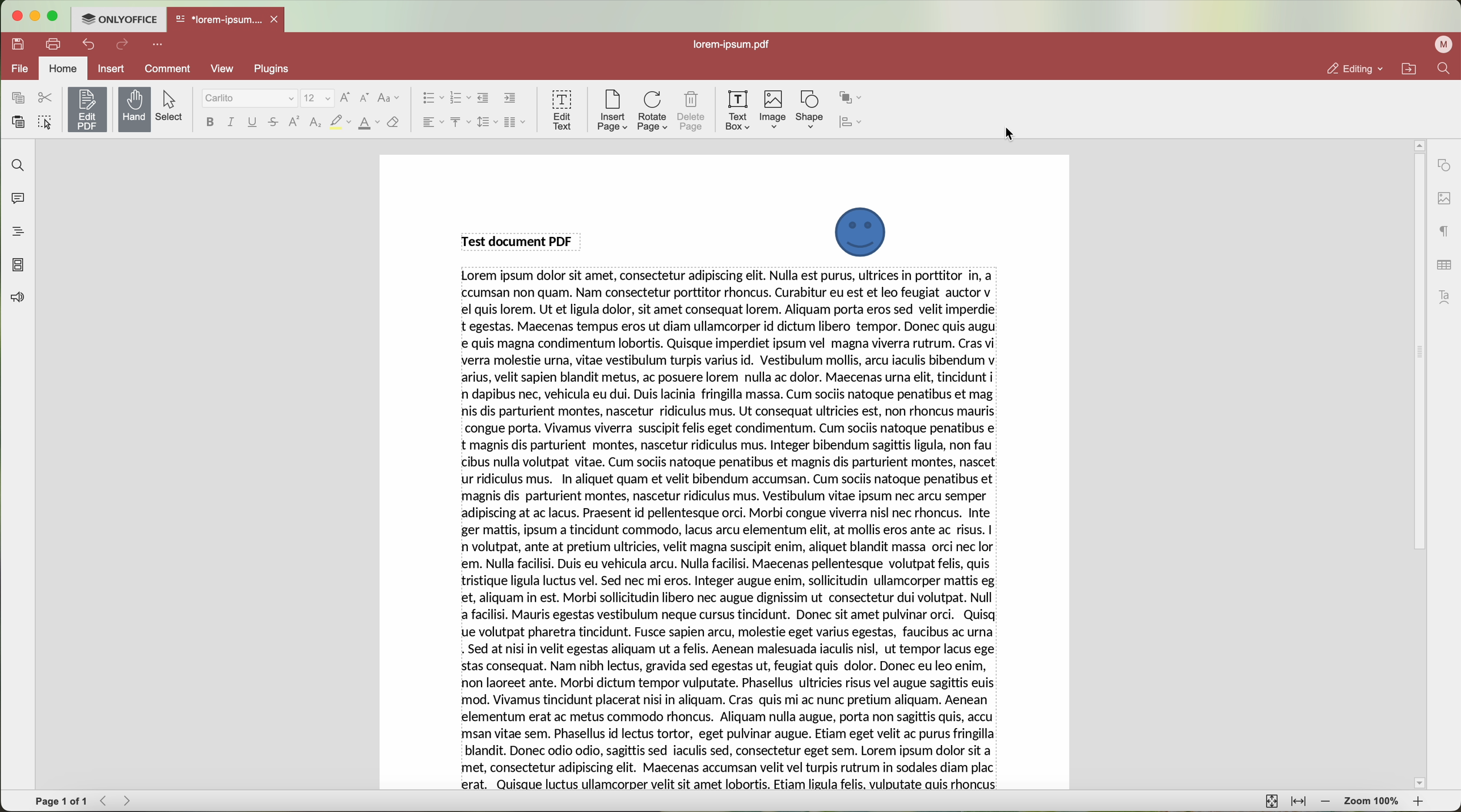 The width and height of the screenshot is (1461, 812). I want to click on navigate arrows, so click(118, 801).